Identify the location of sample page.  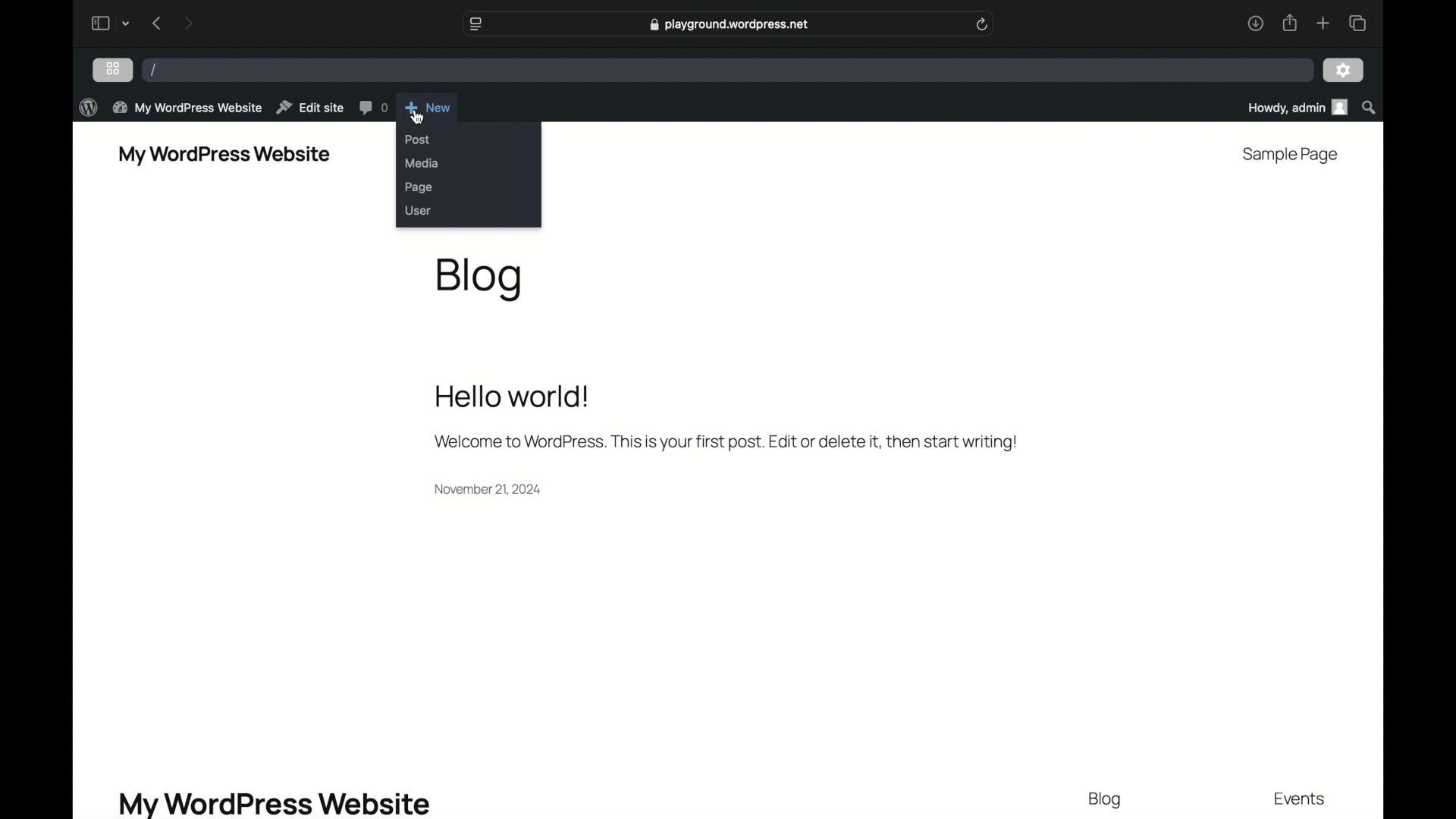
(1291, 155).